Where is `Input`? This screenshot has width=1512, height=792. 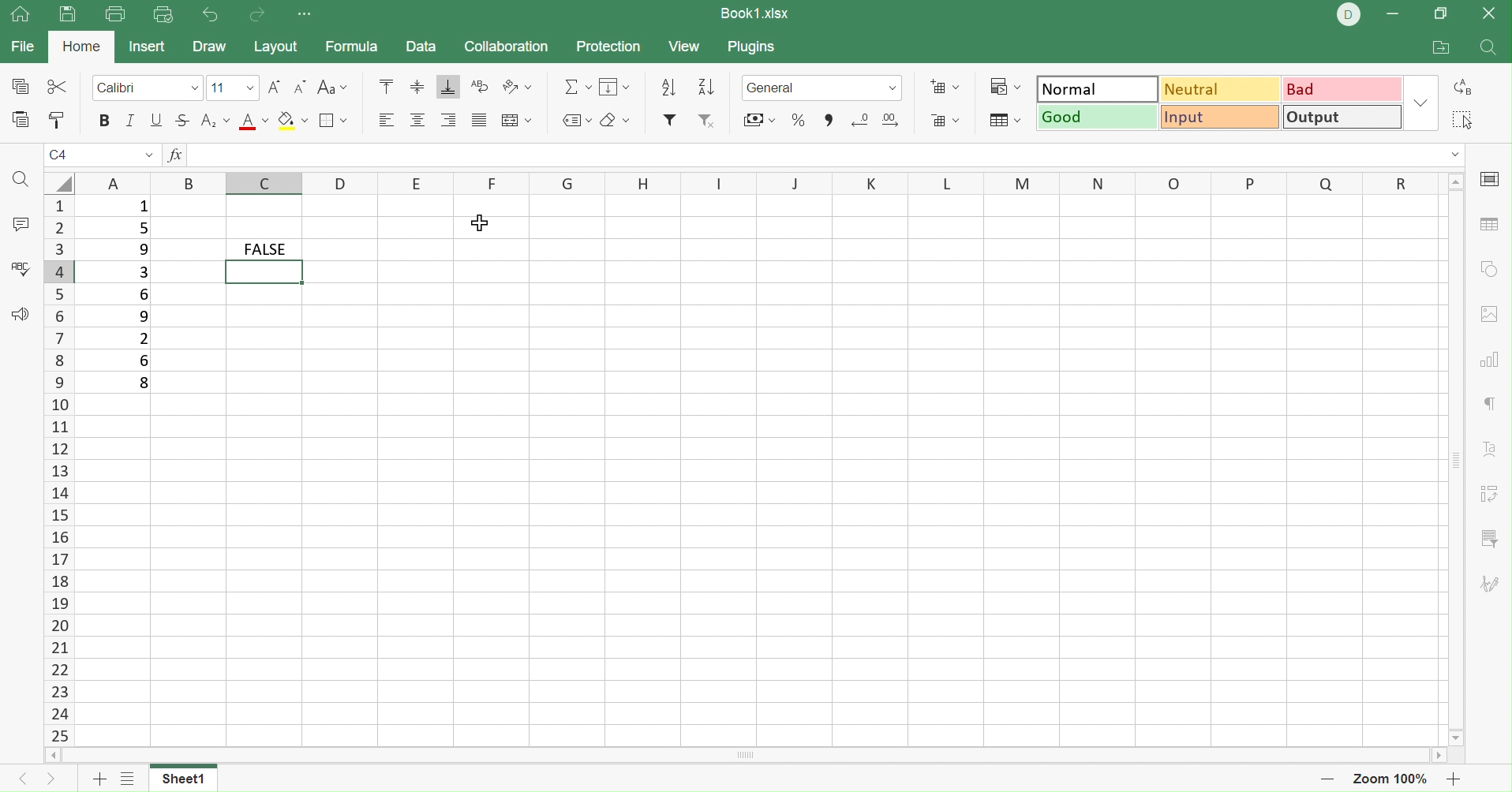
Input is located at coordinates (1219, 117).